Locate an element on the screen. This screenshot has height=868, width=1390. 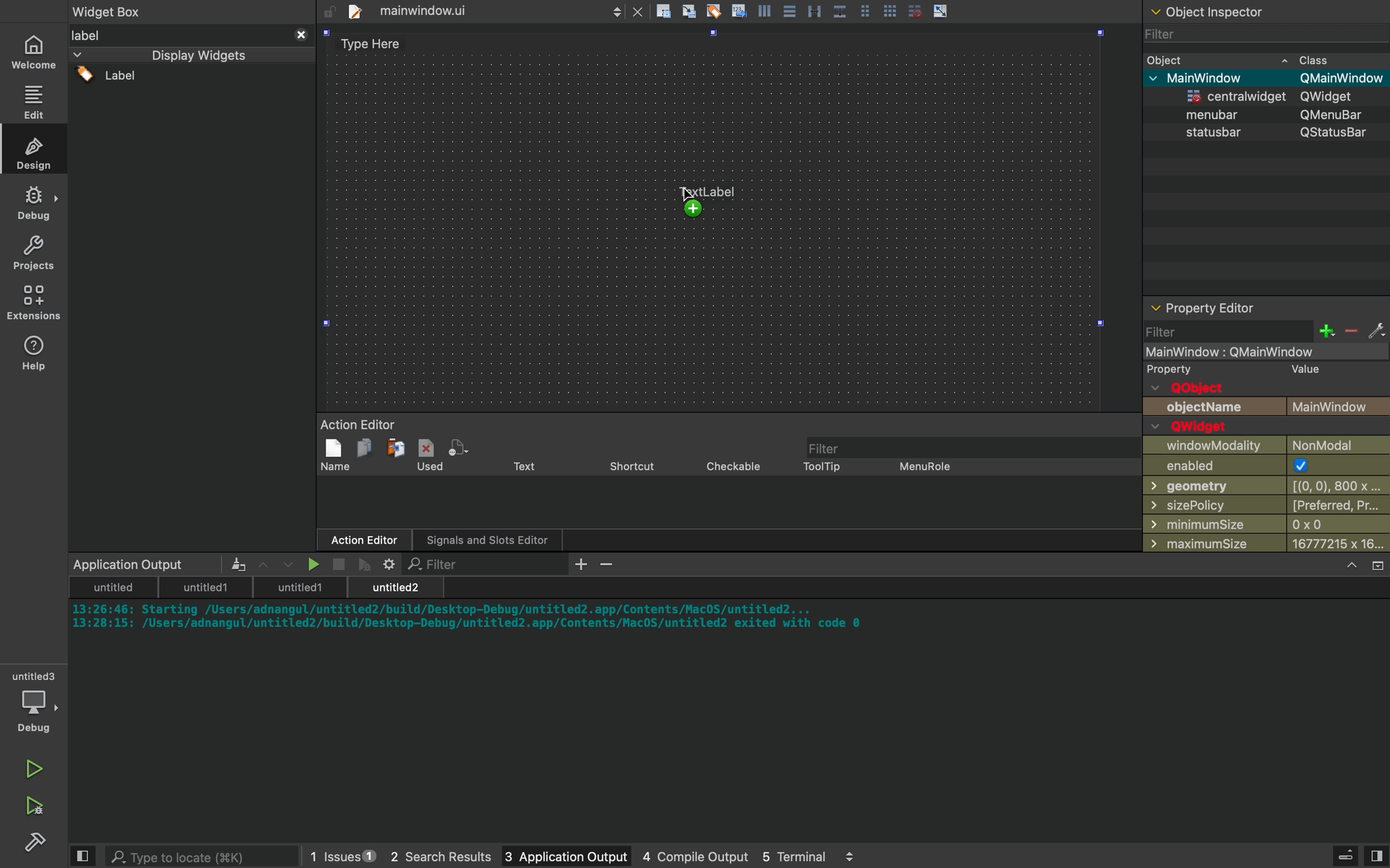
Object  is located at coordinates (1226, 13).